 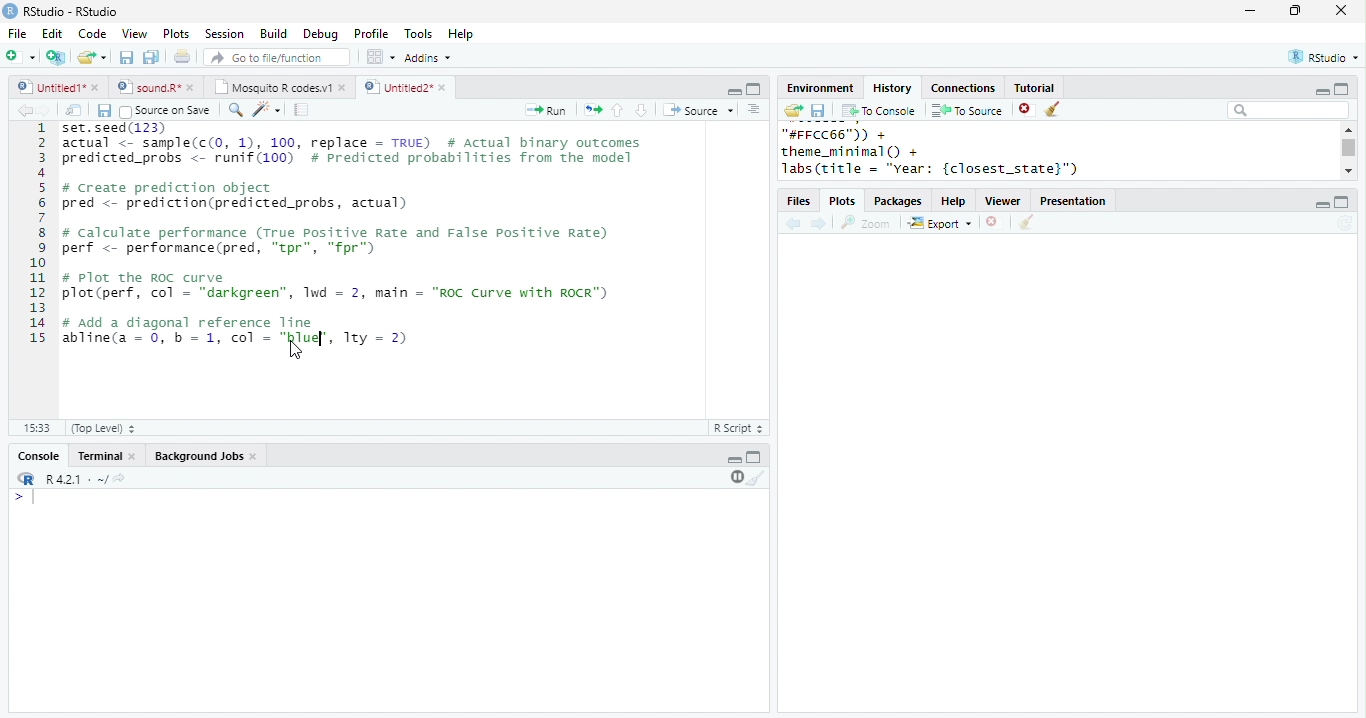 What do you see at coordinates (1345, 223) in the screenshot?
I see `refresh` at bounding box center [1345, 223].